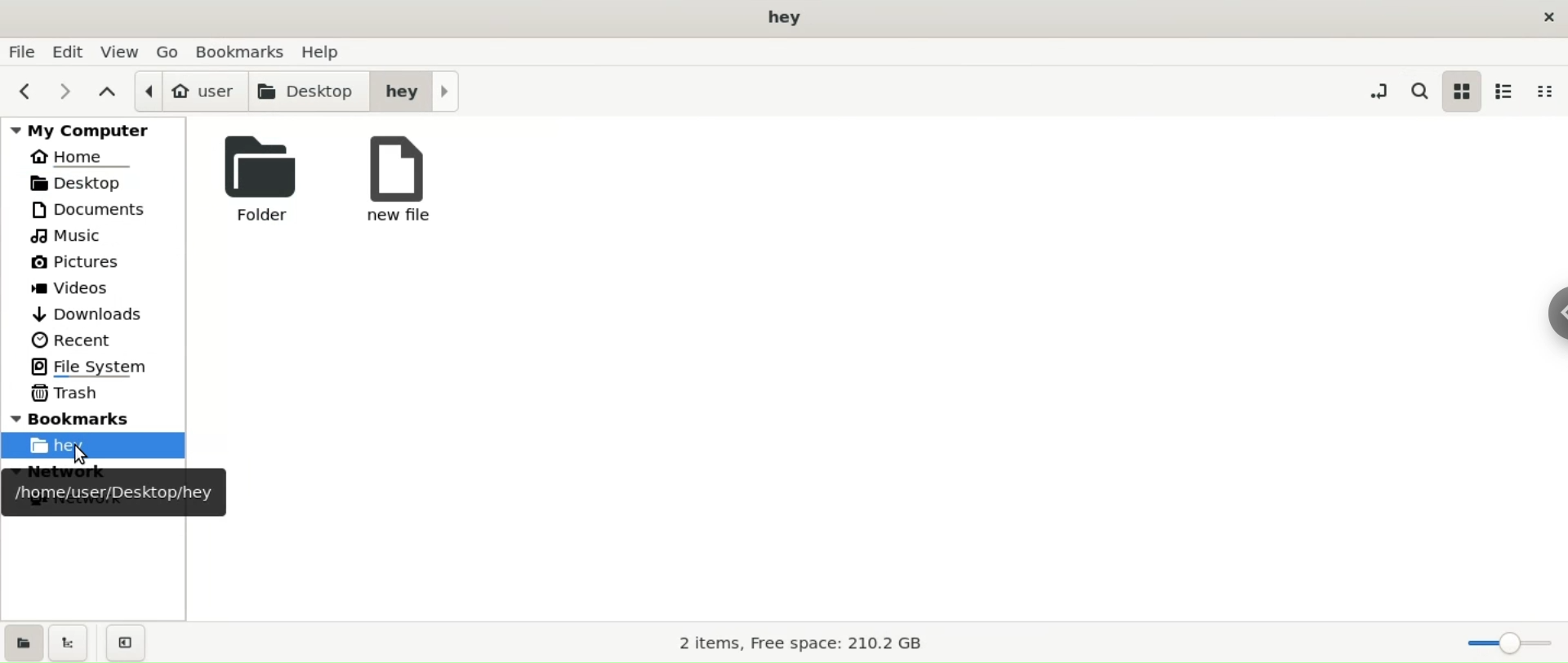 Image resolution: width=1568 pixels, height=663 pixels. I want to click on music, so click(70, 237).